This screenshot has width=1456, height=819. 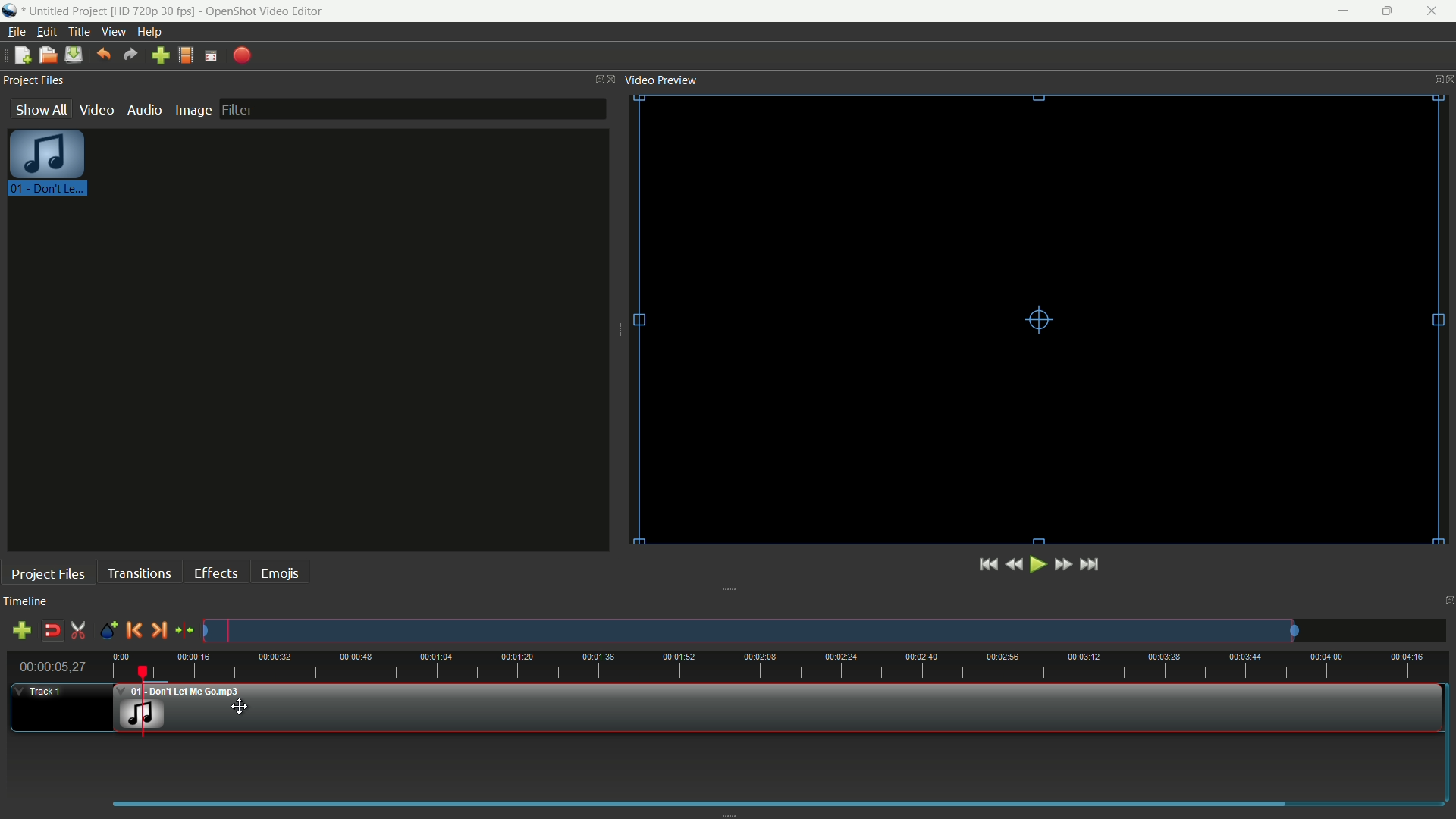 What do you see at coordinates (21, 630) in the screenshot?
I see `add track` at bounding box center [21, 630].